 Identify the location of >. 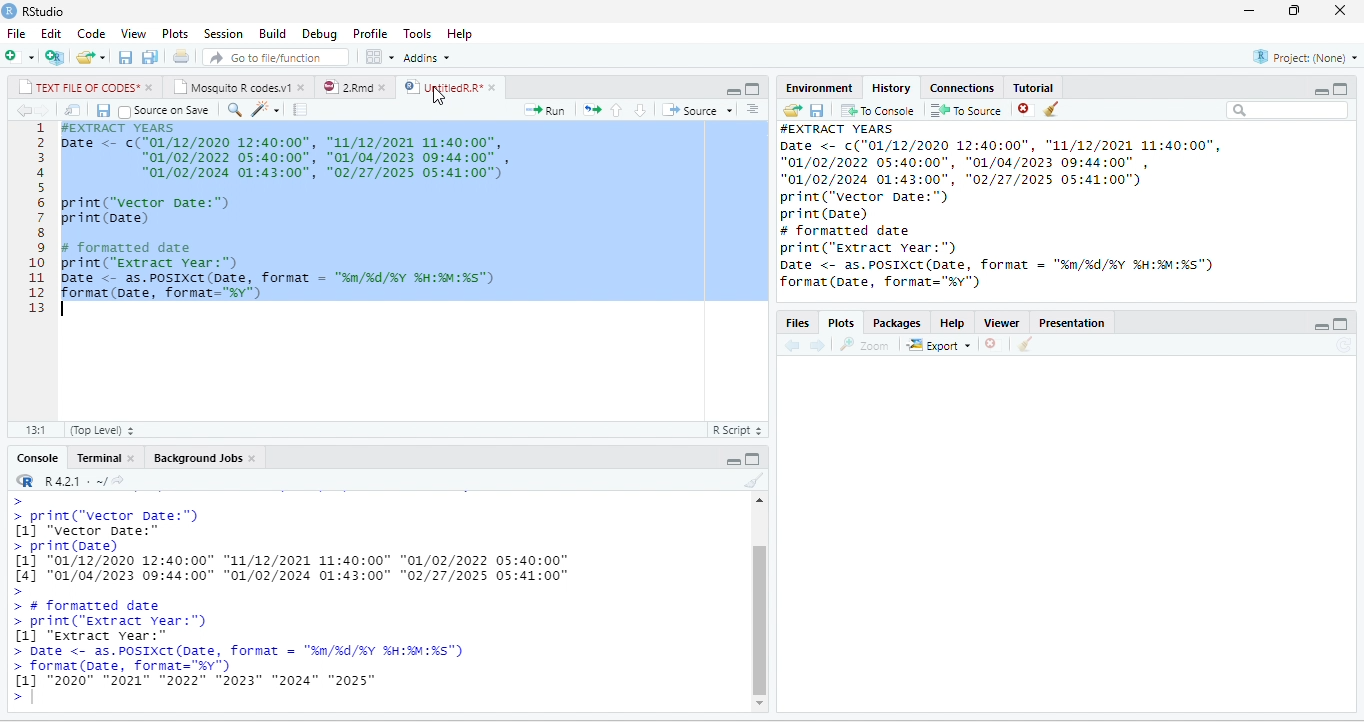
(27, 698).